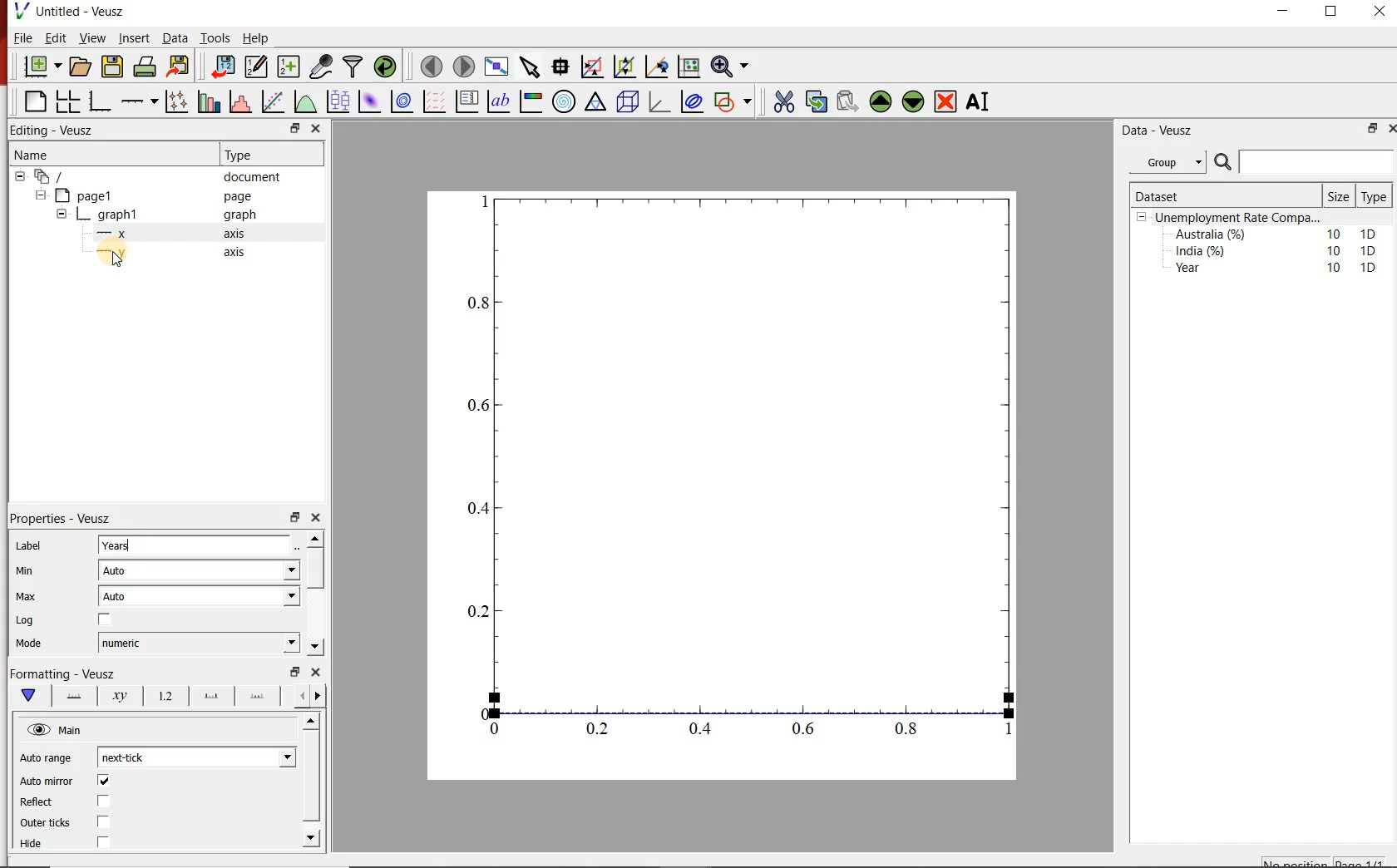 The height and width of the screenshot is (868, 1397). Describe the element at coordinates (62, 672) in the screenshot. I see `Formatting - Veusz` at that location.